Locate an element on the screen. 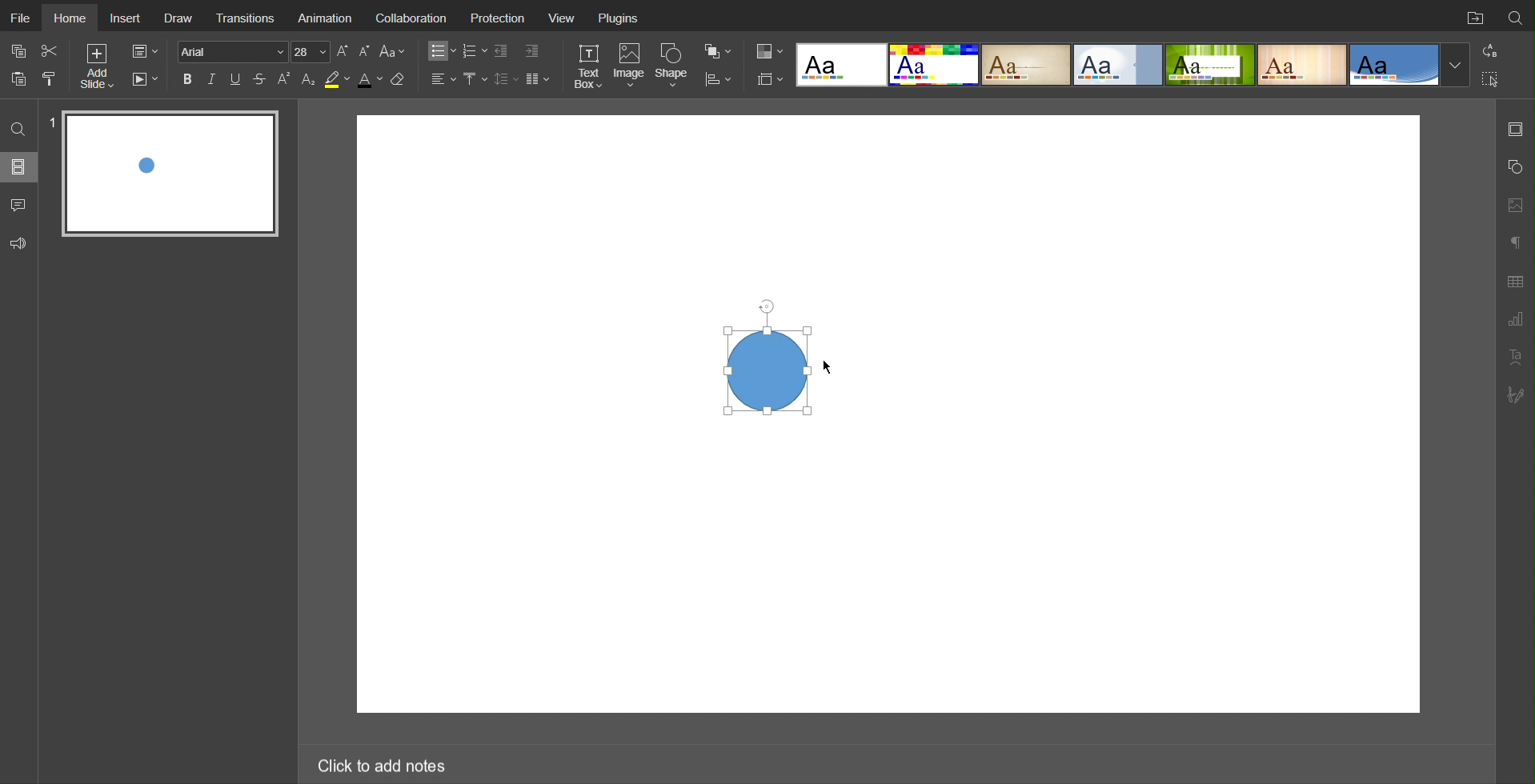  Draw is located at coordinates (182, 18).